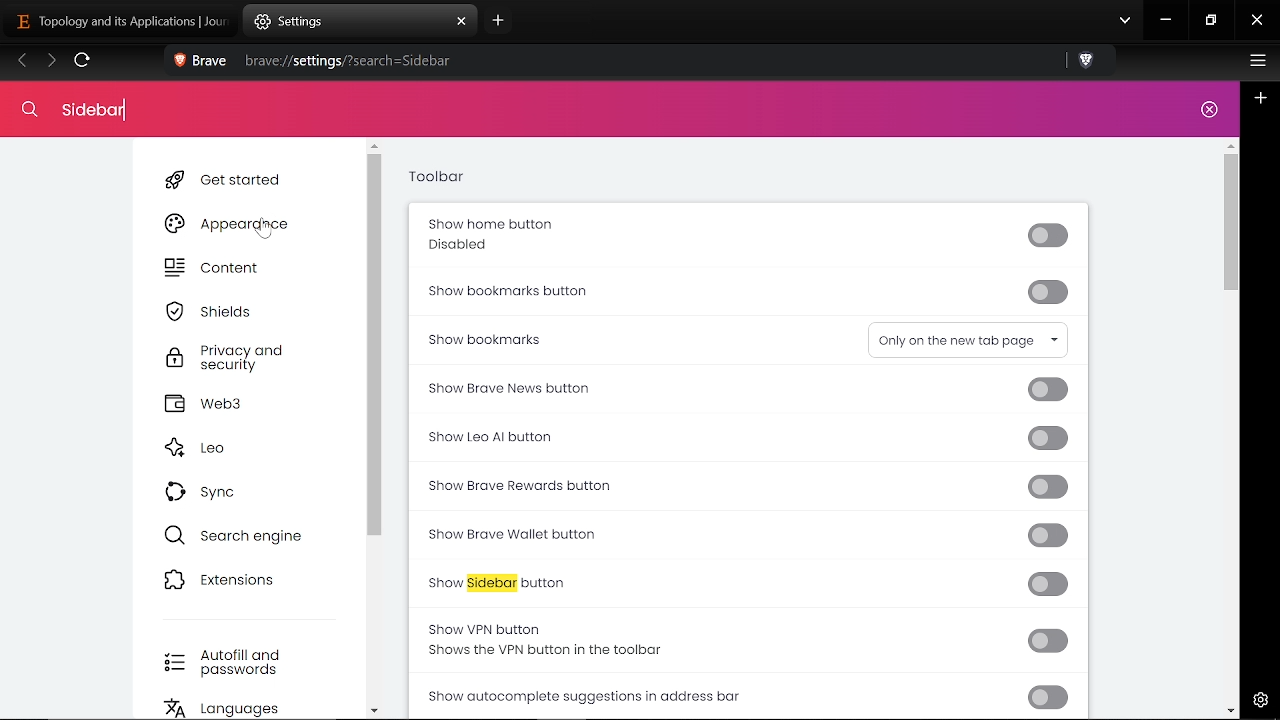  What do you see at coordinates (612, 61) in the screenshot?
I see `Cite link` at bounding box center [612, 61].